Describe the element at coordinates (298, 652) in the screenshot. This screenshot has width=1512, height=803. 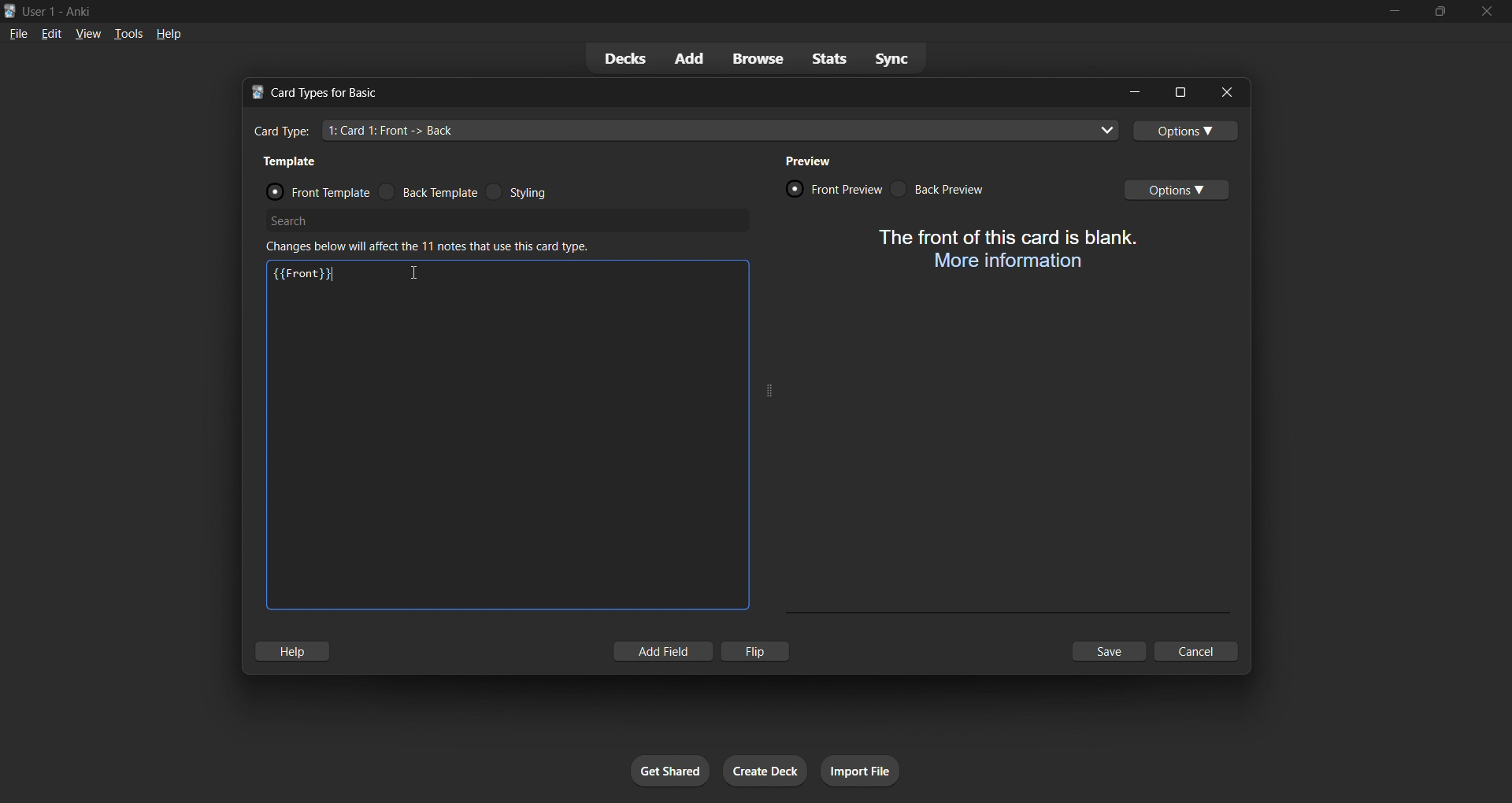
I see `hlep` at that location.